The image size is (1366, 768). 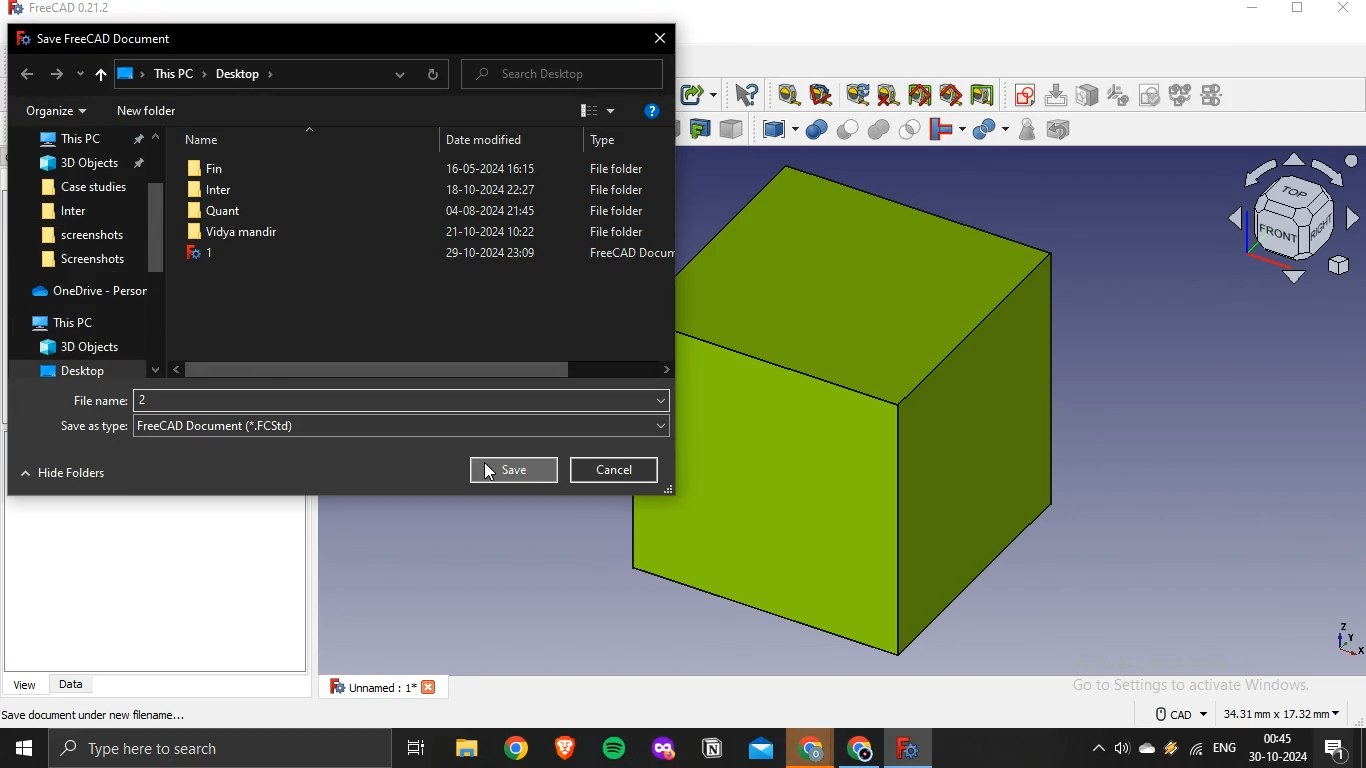 I want to click on axes icon, so click(x=1343, y=641).